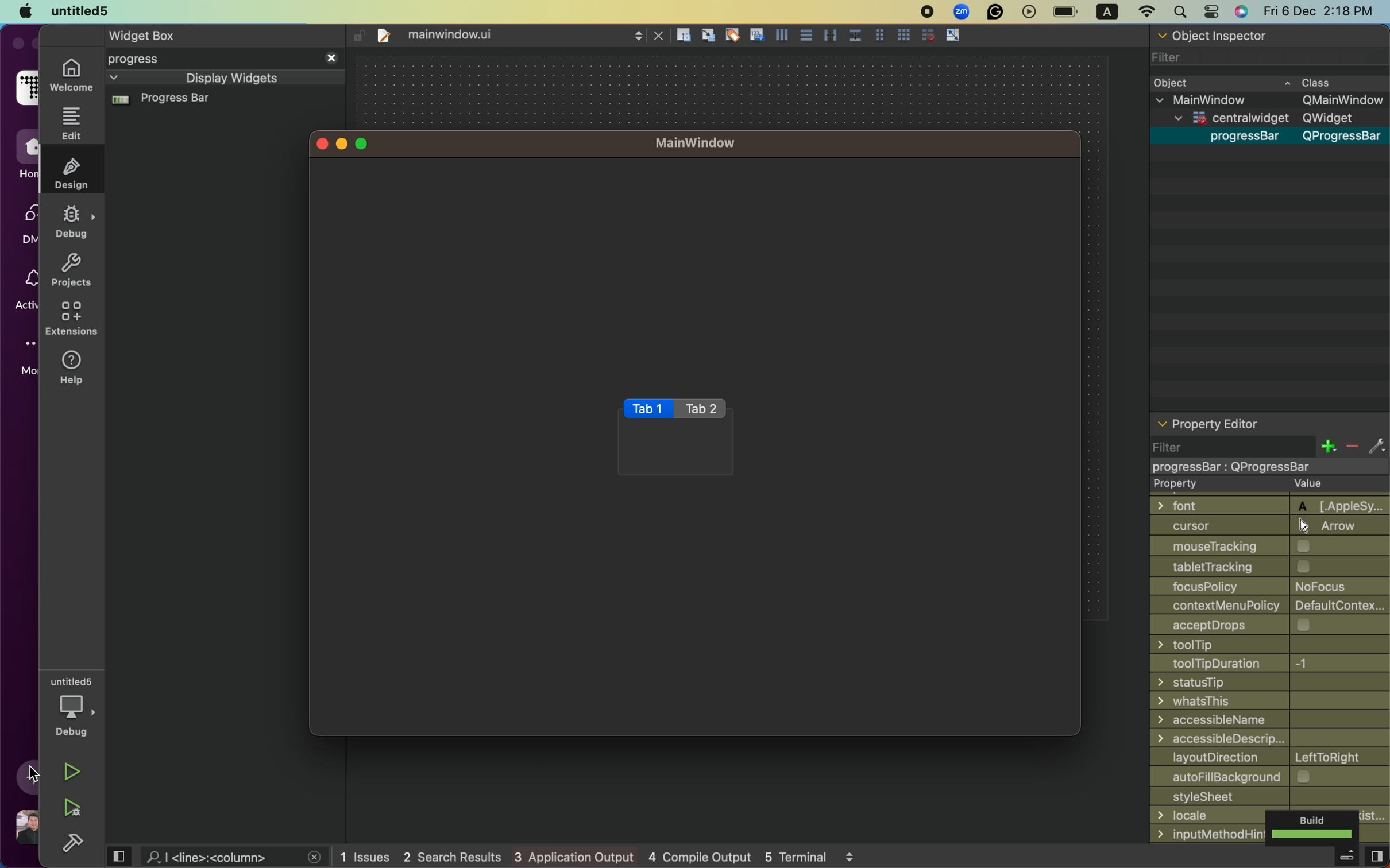 This screenshot has width=1390, height=868. What do you see at coordinates (74, 270) in the screenshot?
I see `projects` at bounding box center [74, 270].